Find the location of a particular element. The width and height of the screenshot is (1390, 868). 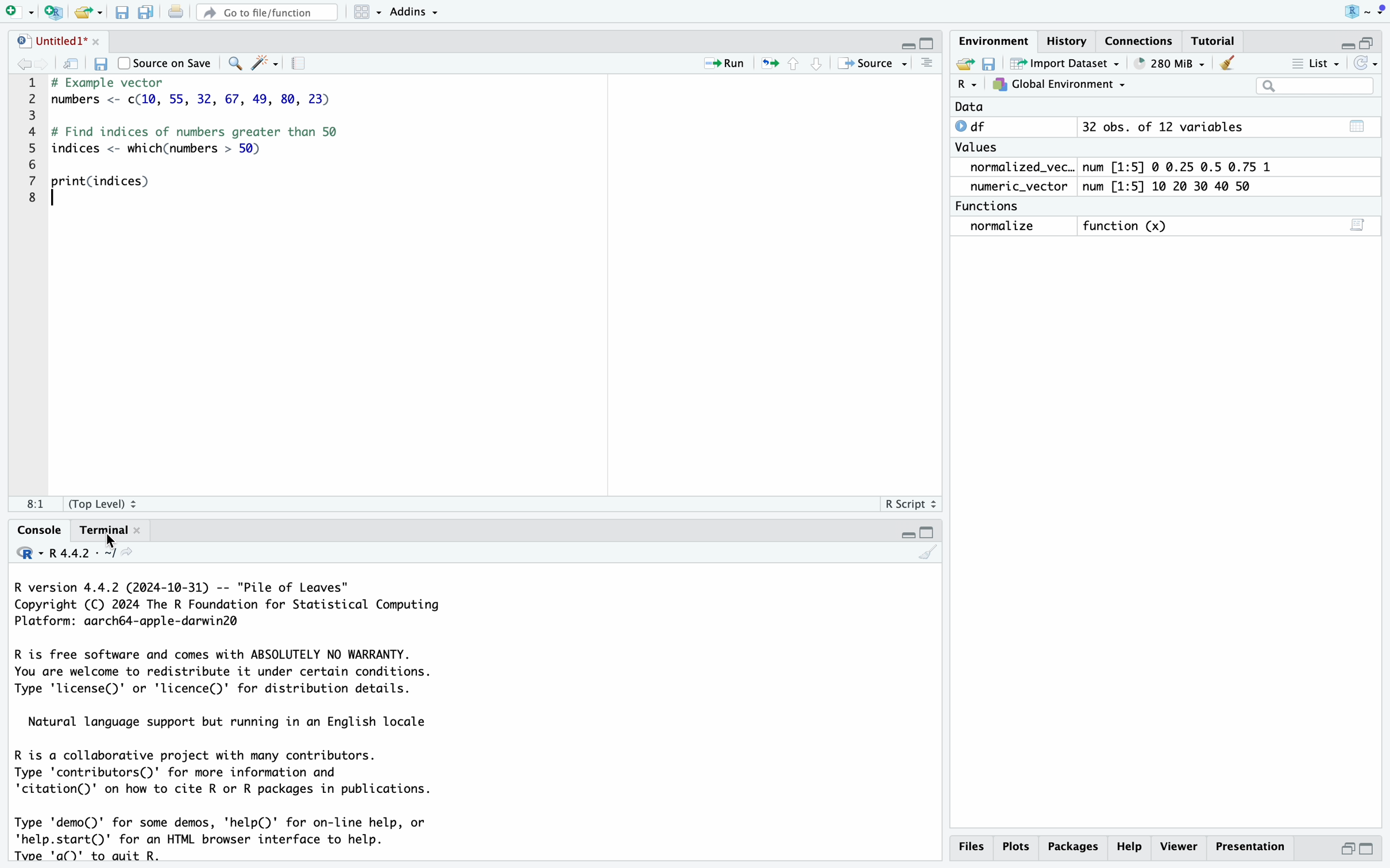

 Untitled1 is located at coordinates (57, 40).